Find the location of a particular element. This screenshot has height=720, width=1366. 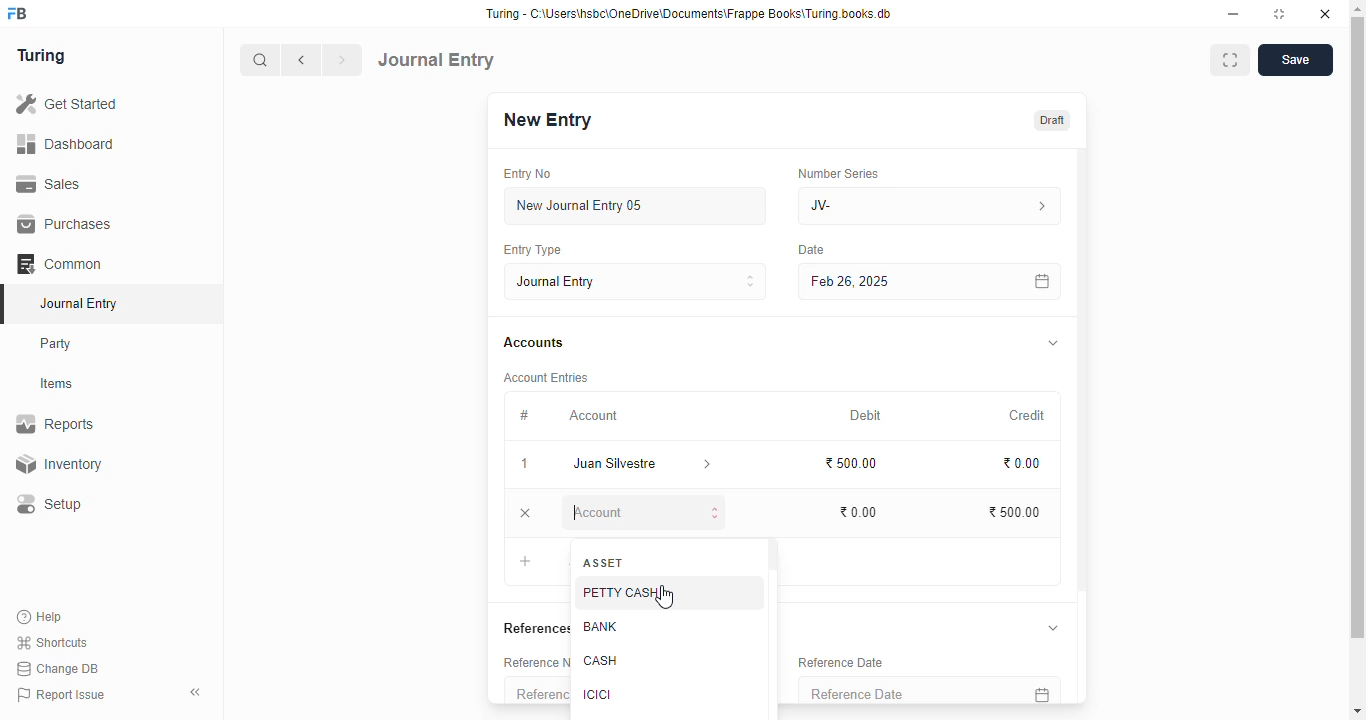

account entries is located at coordinates (544, 377).